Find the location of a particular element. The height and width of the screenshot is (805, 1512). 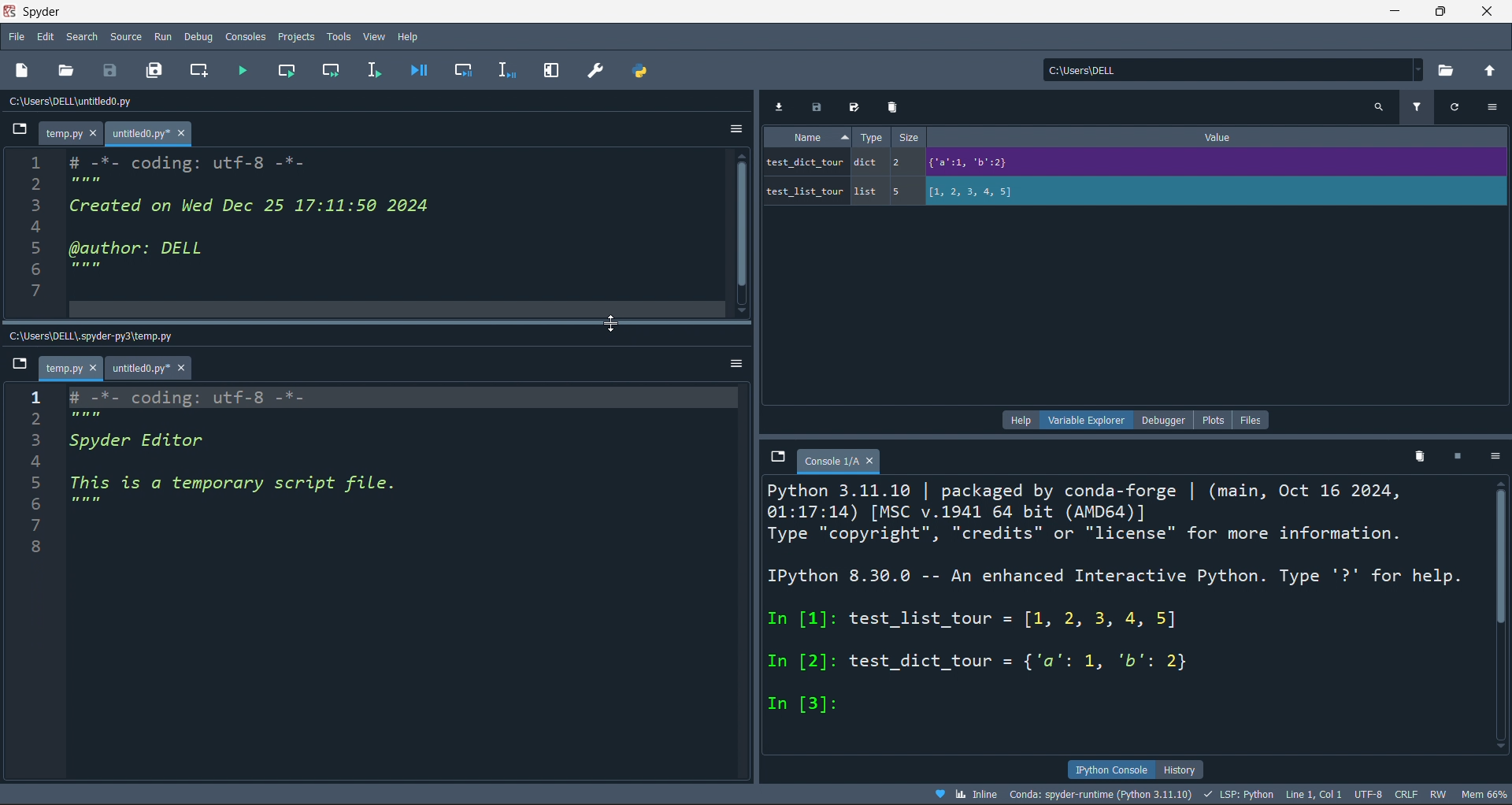

files is located at coordinates (1254, 417).